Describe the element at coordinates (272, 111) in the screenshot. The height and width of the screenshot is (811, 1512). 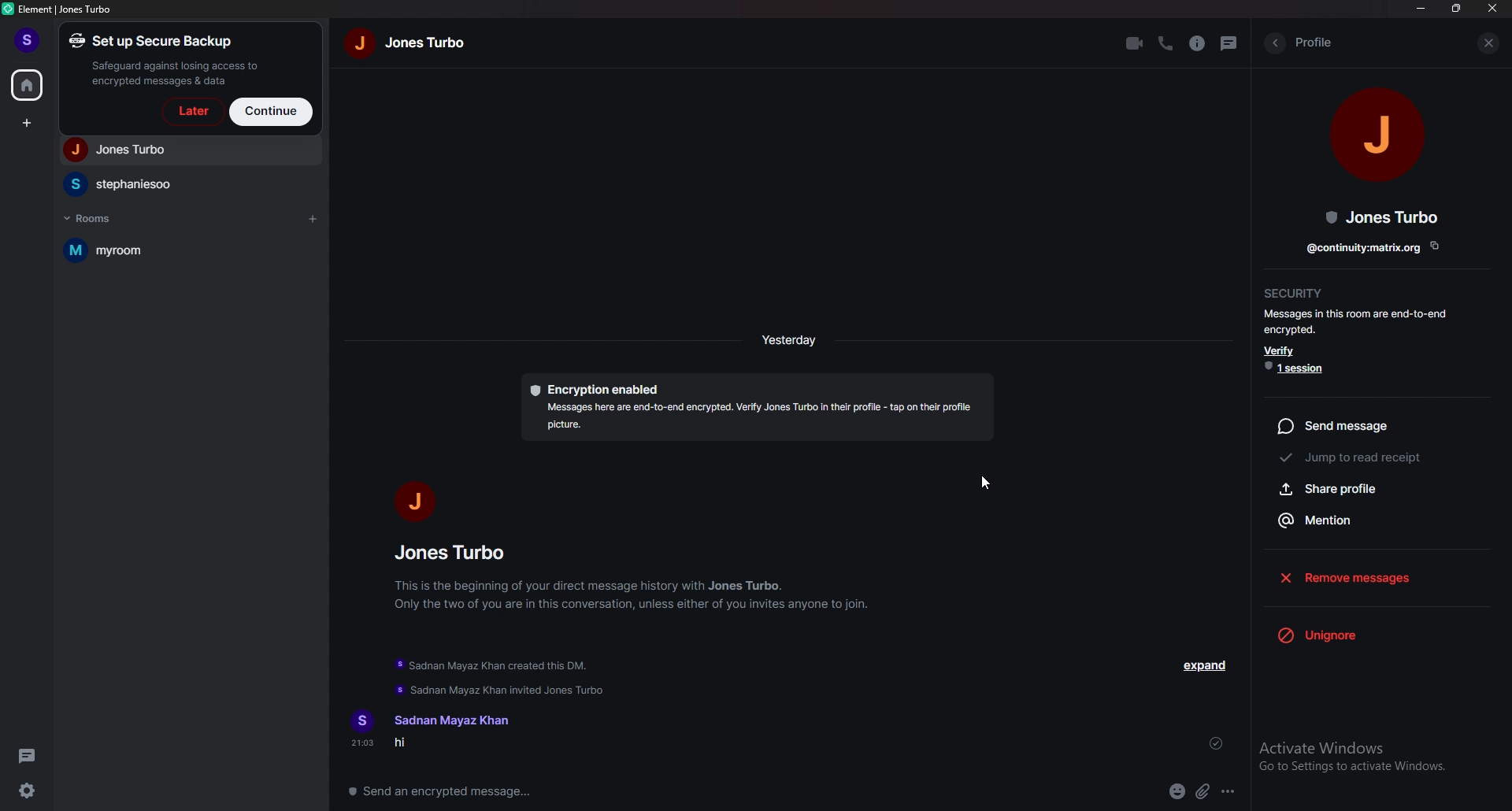
I see `continue` at that location.